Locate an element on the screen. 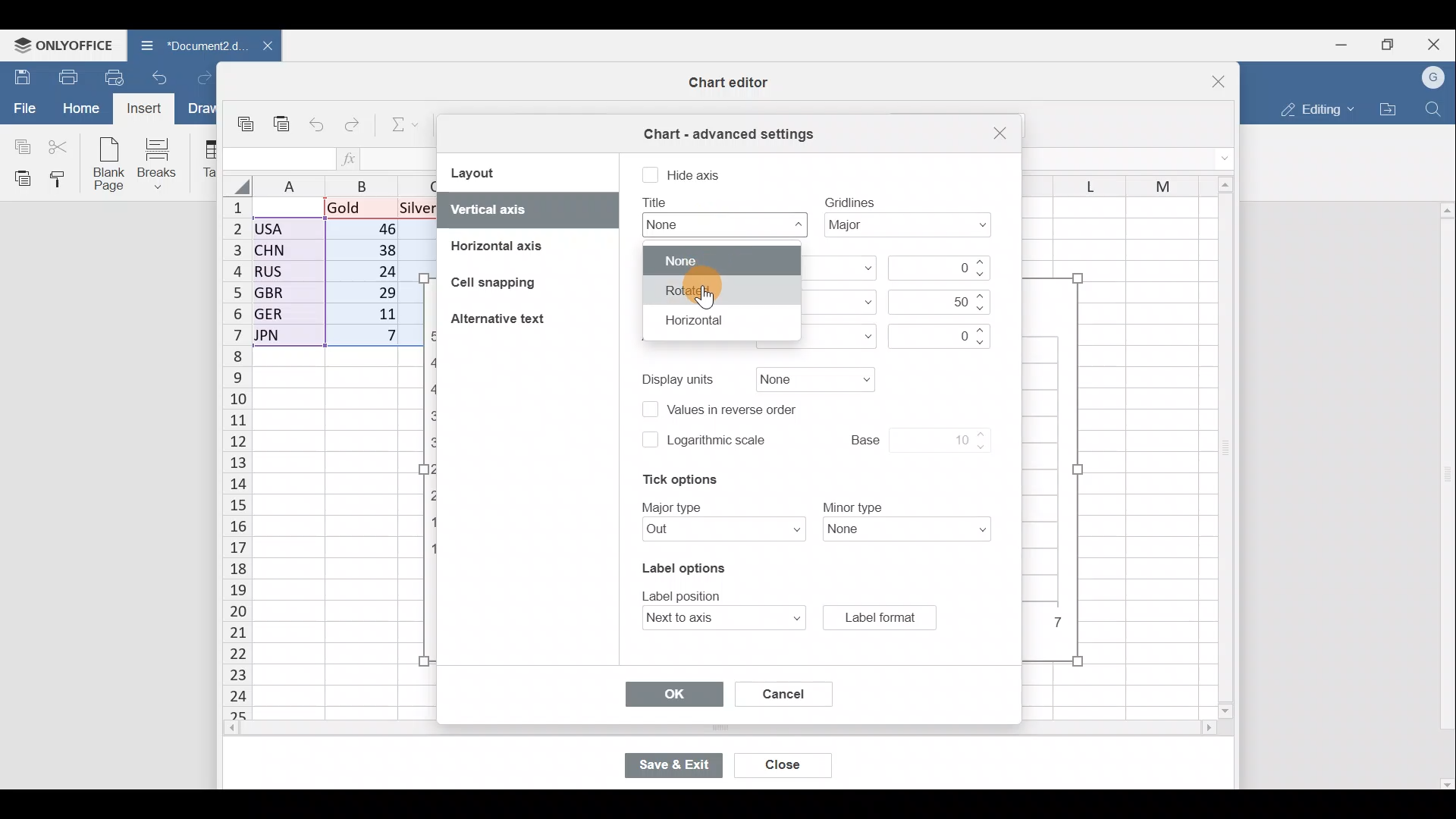 The height and width of the screenshot is (819, 1456). OK is located at coordinates (673, 696).